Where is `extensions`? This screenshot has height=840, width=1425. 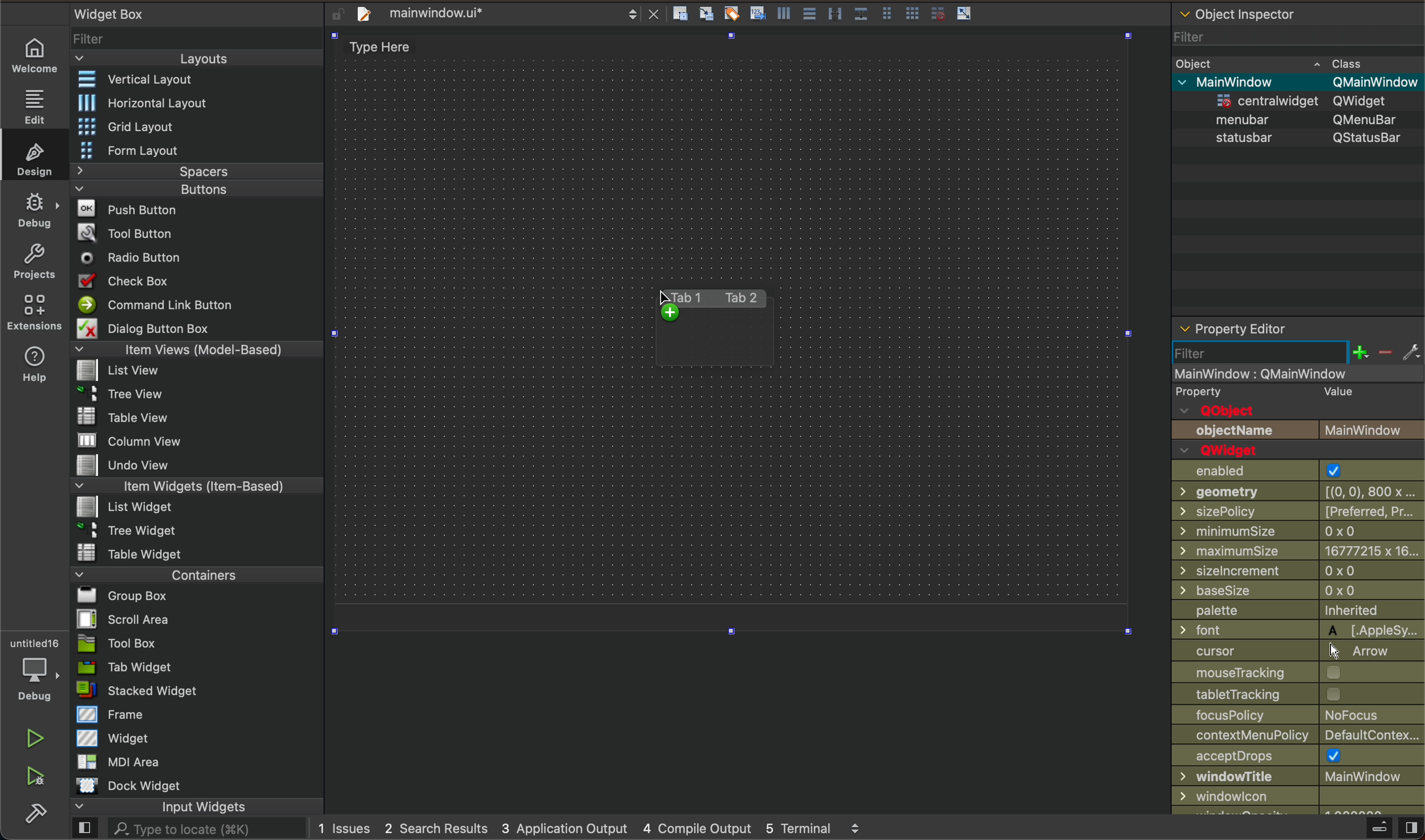
extensions is located at coordinates (37, 310).